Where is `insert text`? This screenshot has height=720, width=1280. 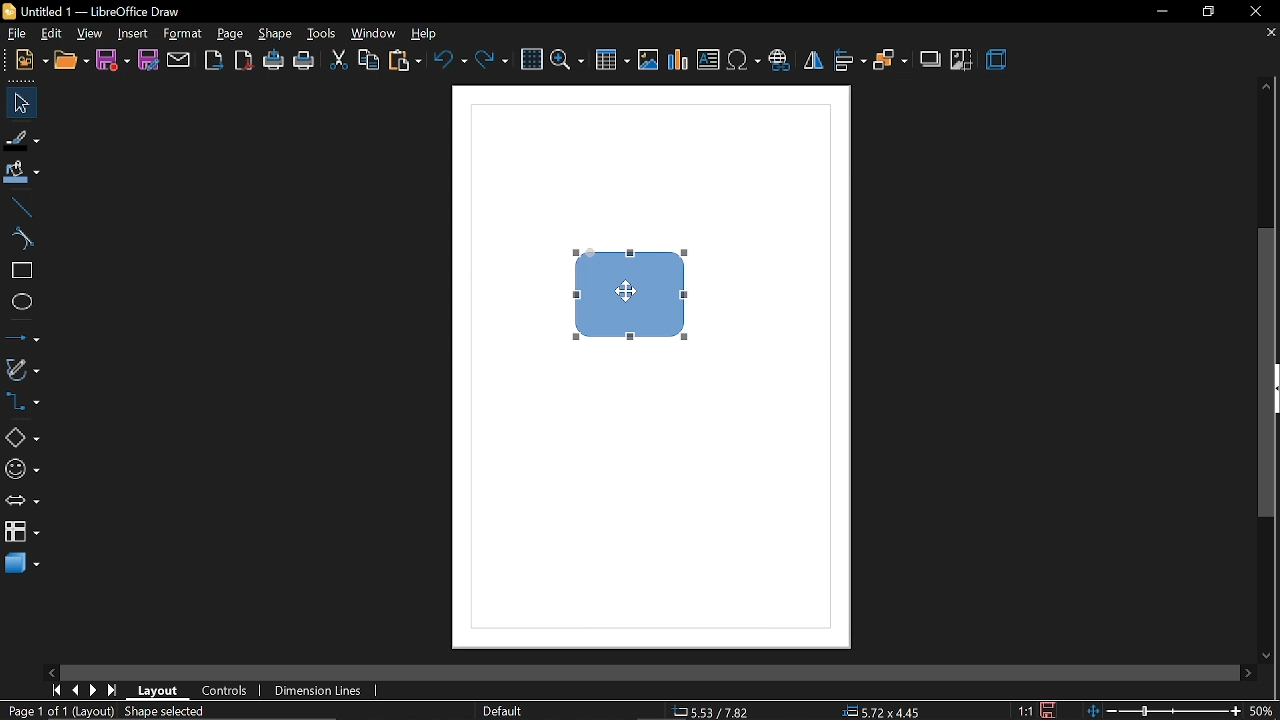 insert text is located at coordinates (710, 61).